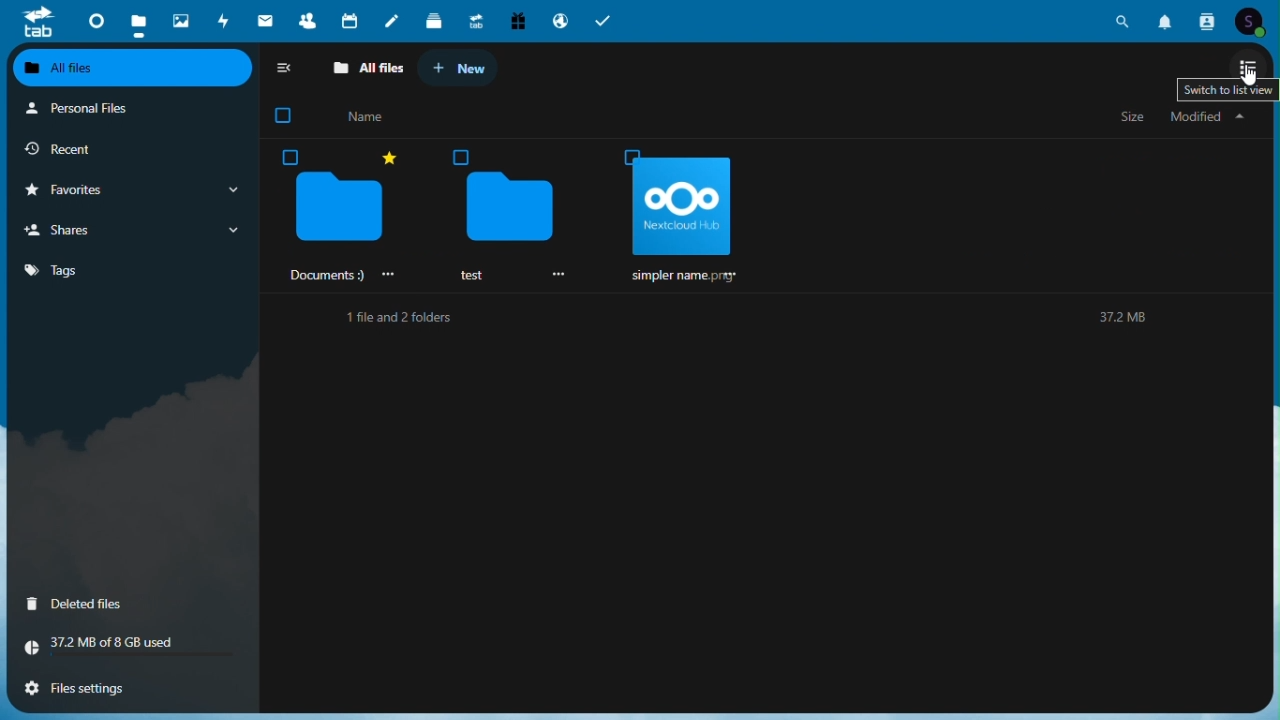 The image size is (1280, 720). Describe the element at coordinates (1210, 21) in the screenshot. I see `contacts` at that location.